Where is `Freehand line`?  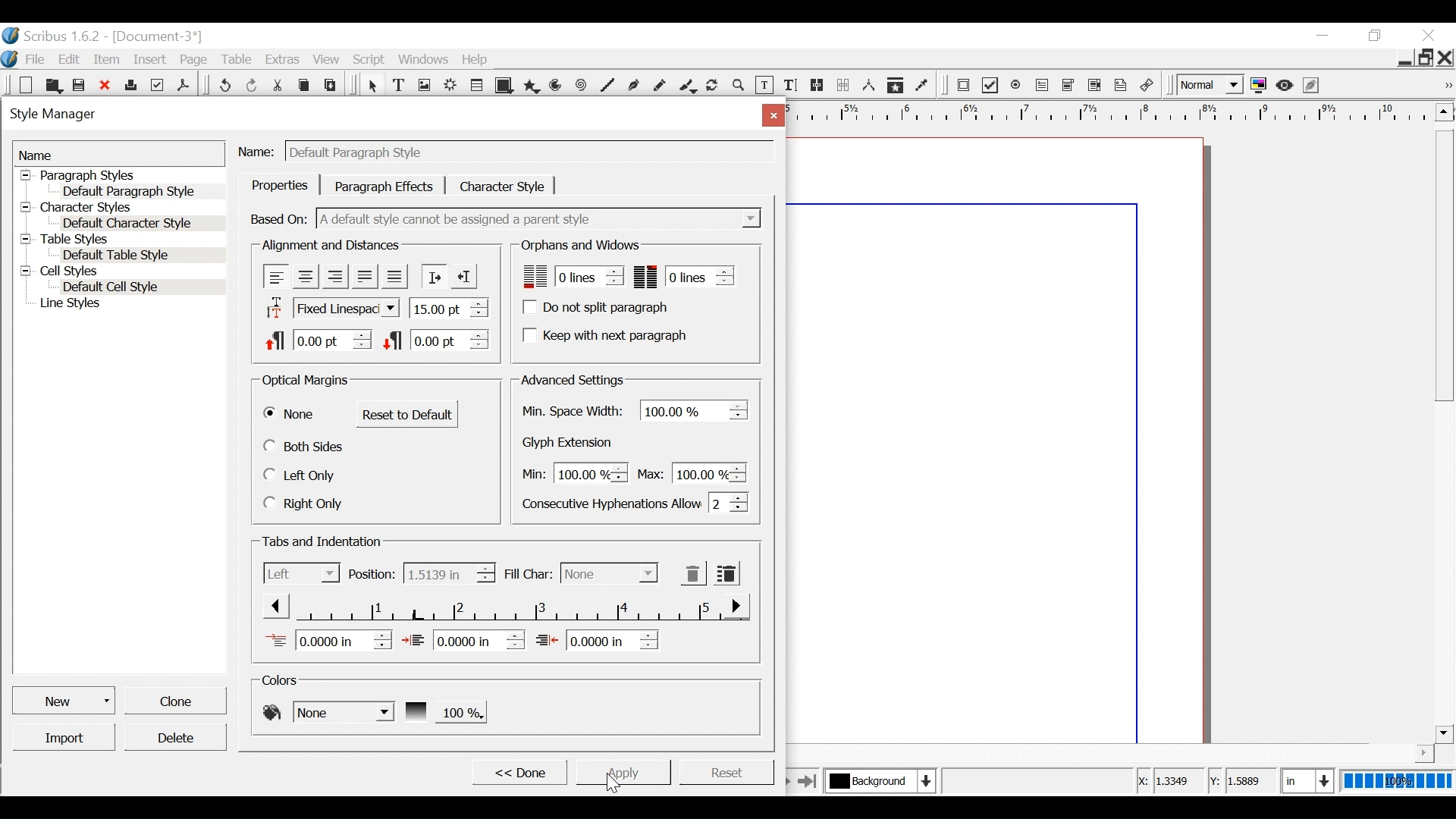
Freehand line is located at coordinates (661, 87).